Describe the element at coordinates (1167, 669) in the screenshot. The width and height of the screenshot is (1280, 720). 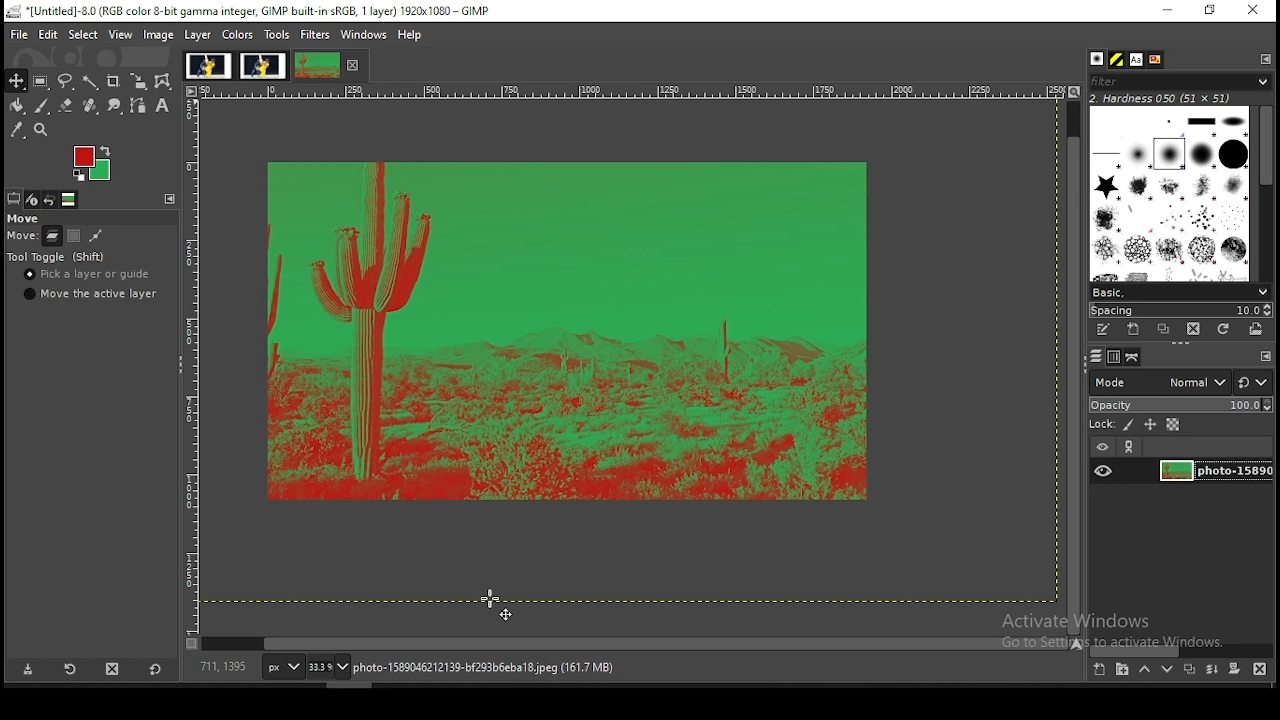
I see `move layer one step down` at that location.